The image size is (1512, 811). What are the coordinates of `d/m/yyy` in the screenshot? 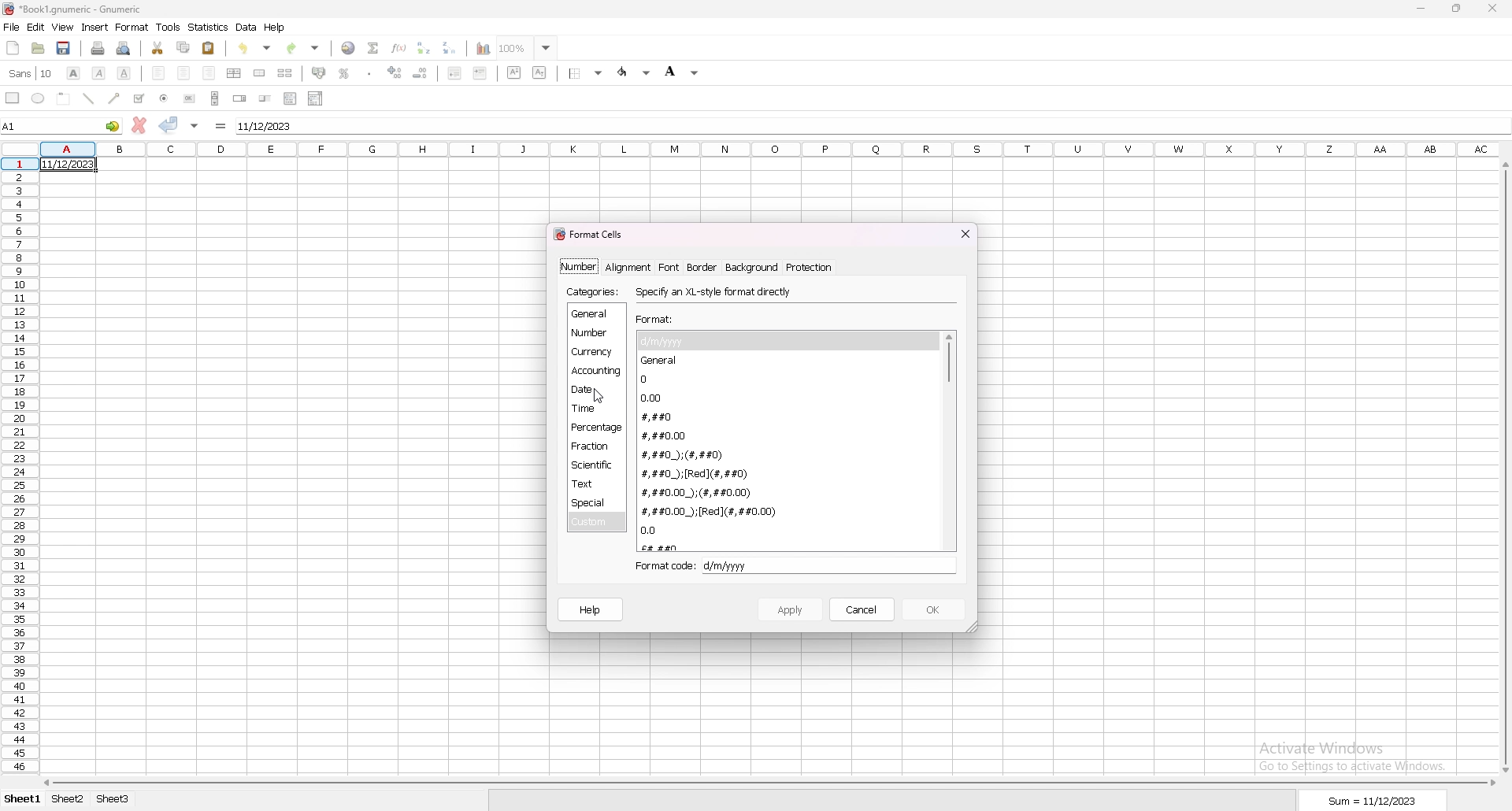 It's located at (673, 342).